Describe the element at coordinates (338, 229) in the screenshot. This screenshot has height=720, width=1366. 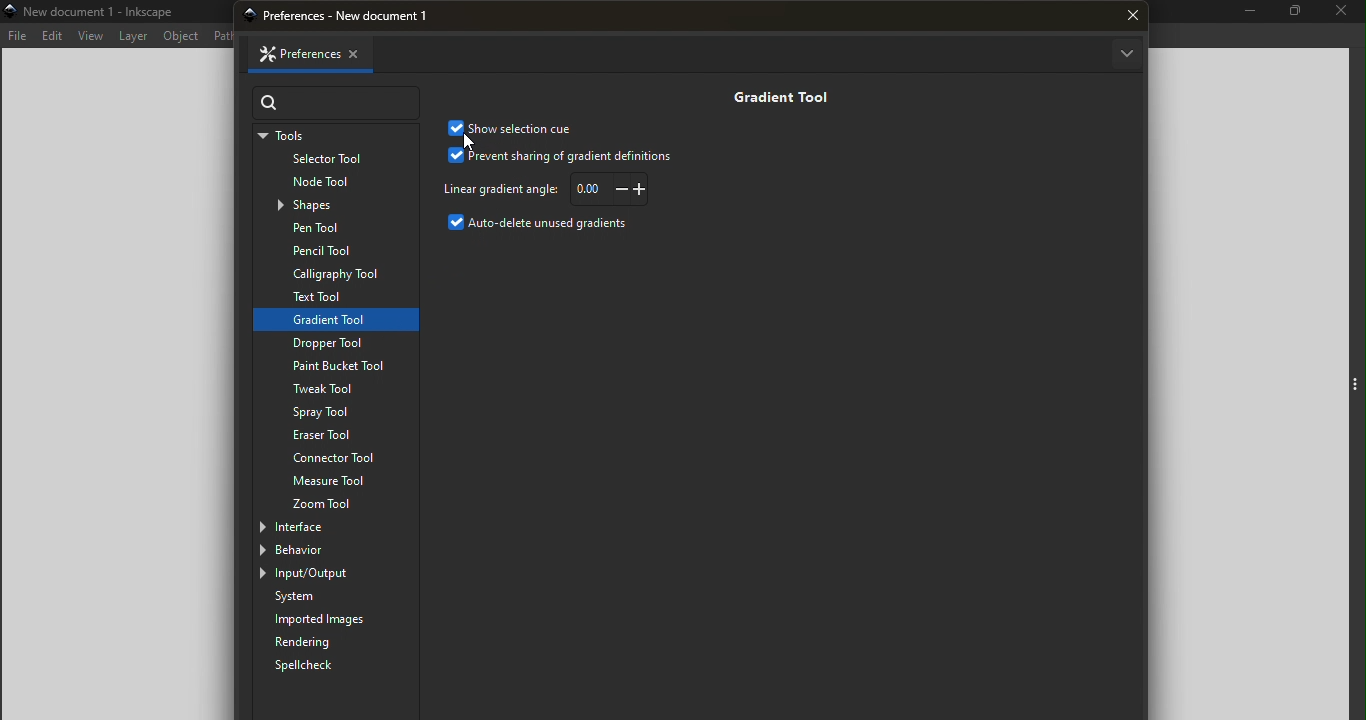
I see `Pen tool` at that location.